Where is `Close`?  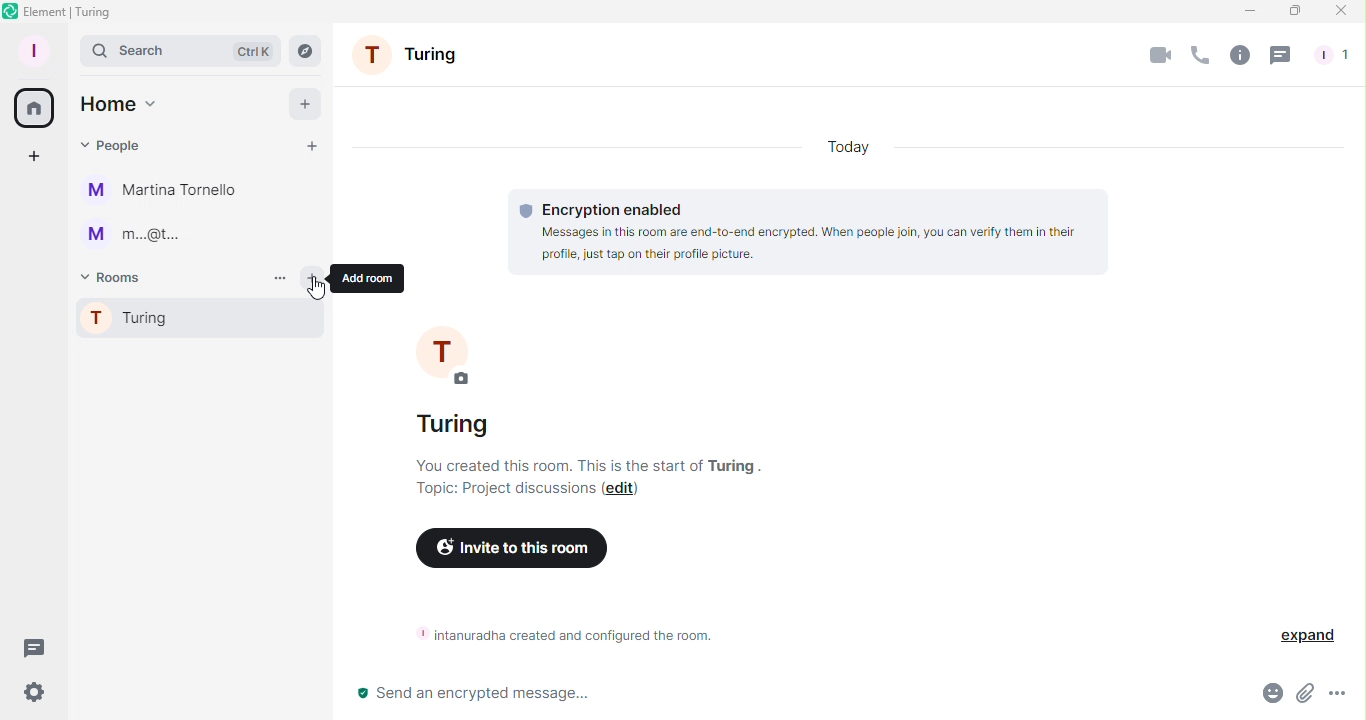 Close is located at coordinates (1345, 11).